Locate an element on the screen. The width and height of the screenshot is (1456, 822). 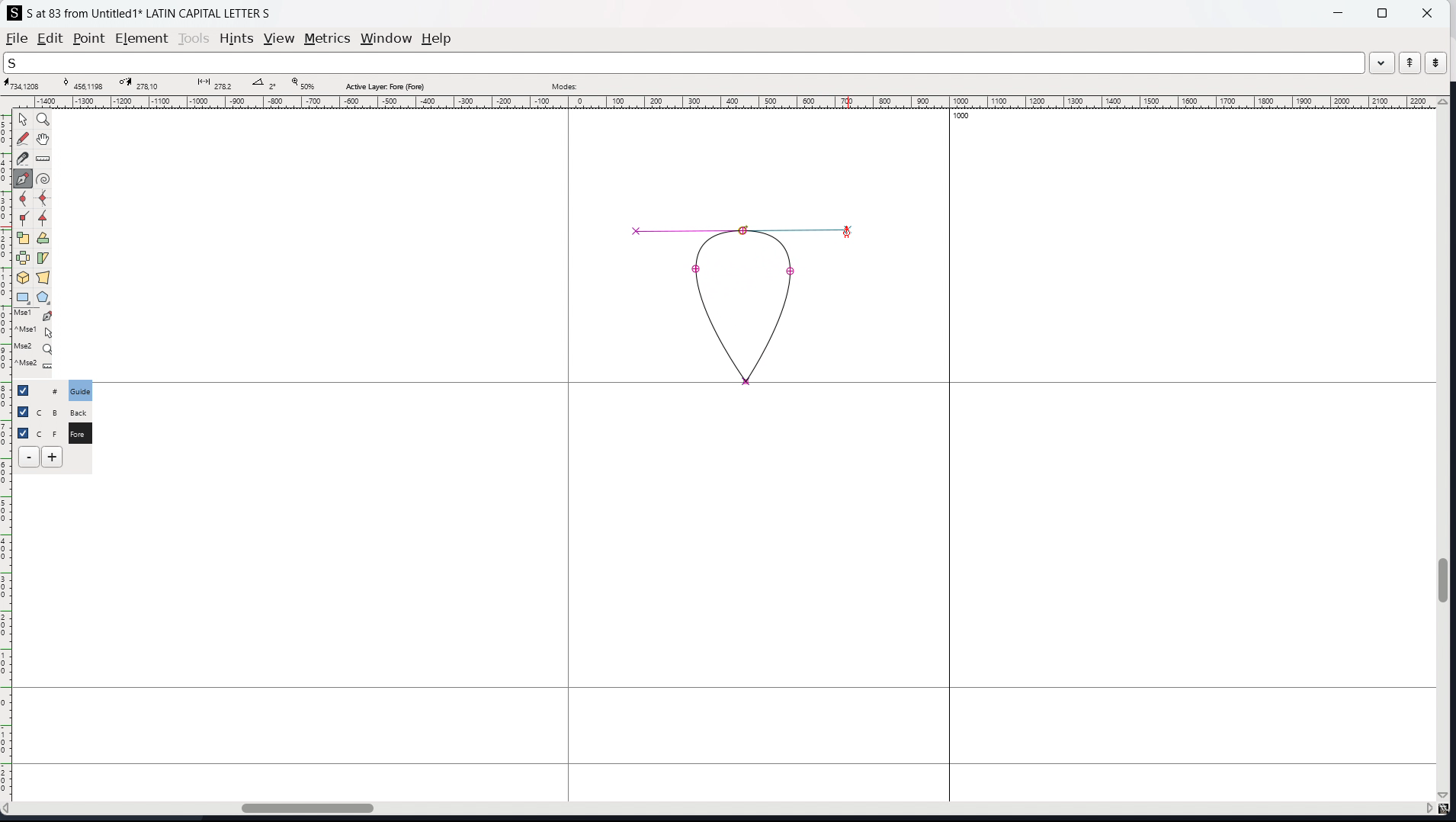
search  the wordlist is located at coordinates (684, 63).